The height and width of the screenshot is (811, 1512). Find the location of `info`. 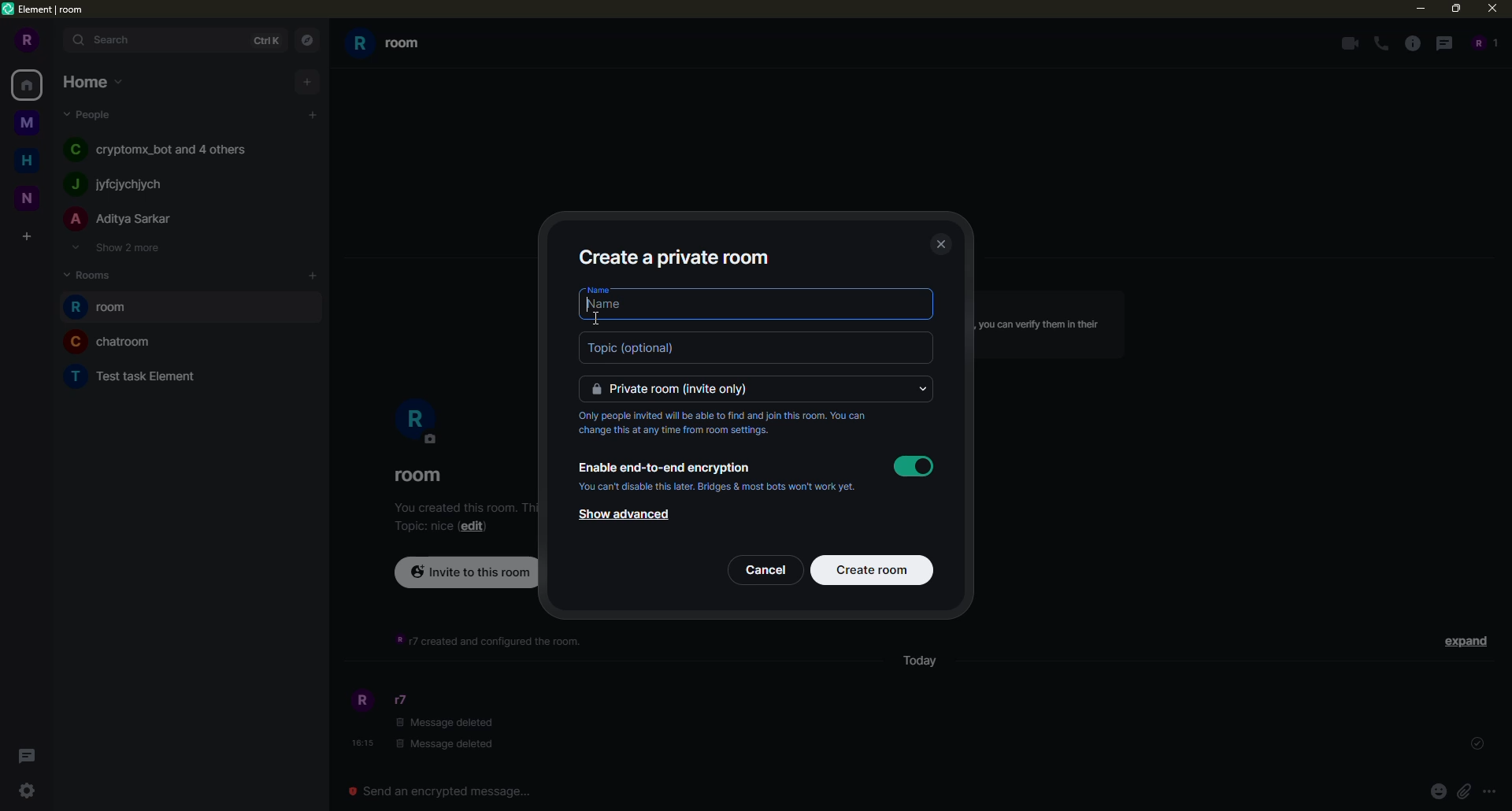

info is located at coordinates (728, 424).